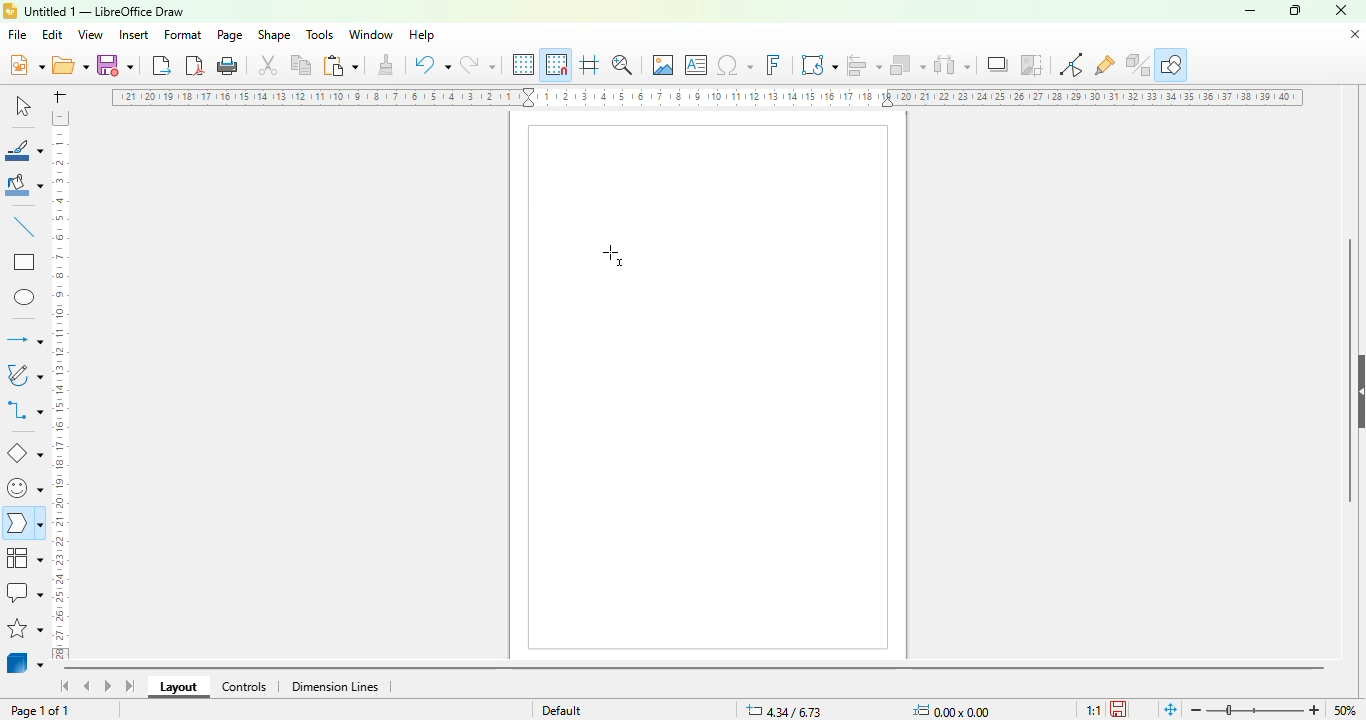 The image size is (1366, 720). Describe the element at coordinates (1345, 710) in the screenshot. I see `50%` at that location.